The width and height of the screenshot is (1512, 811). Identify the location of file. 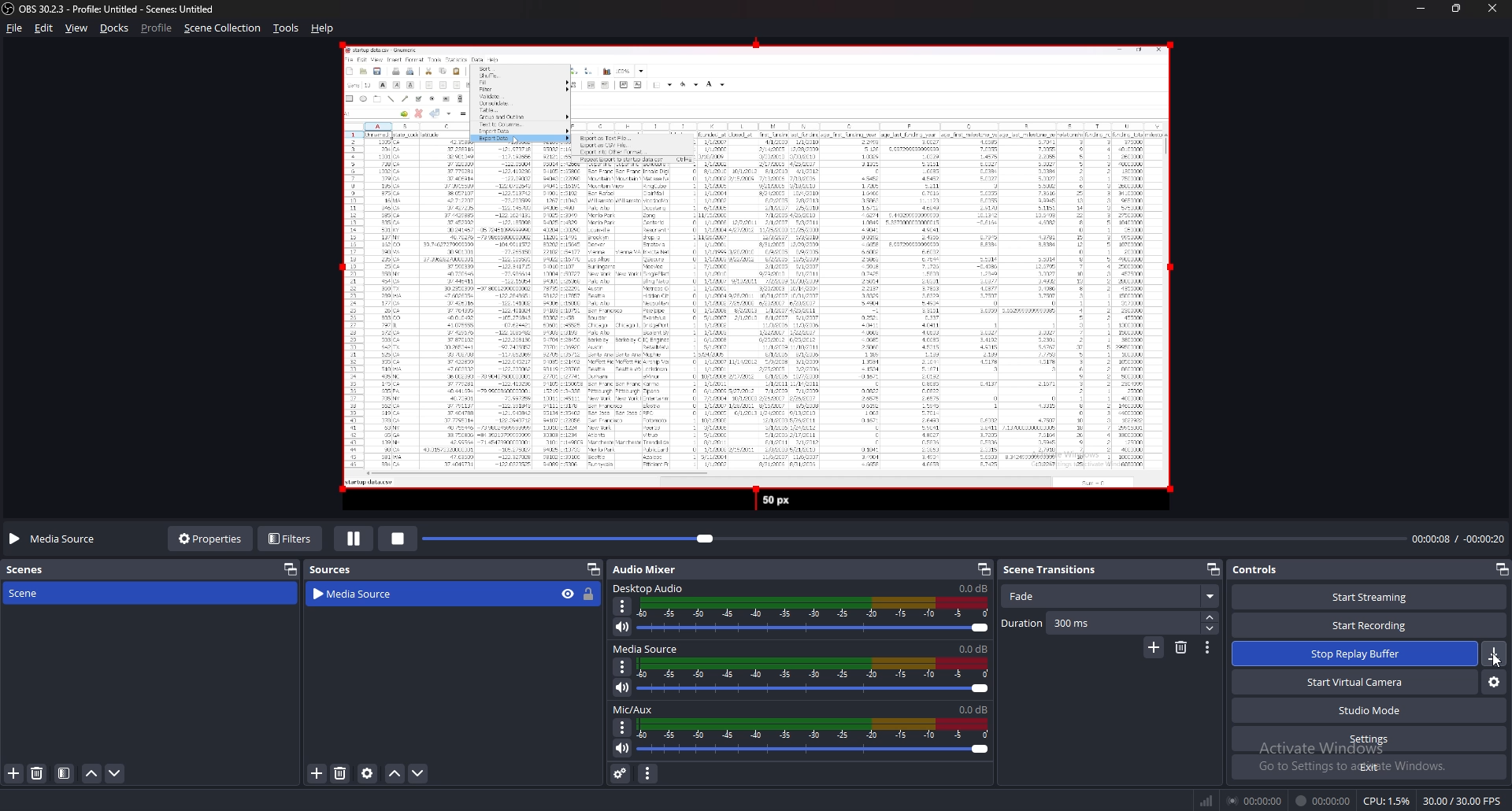
(15, 28).